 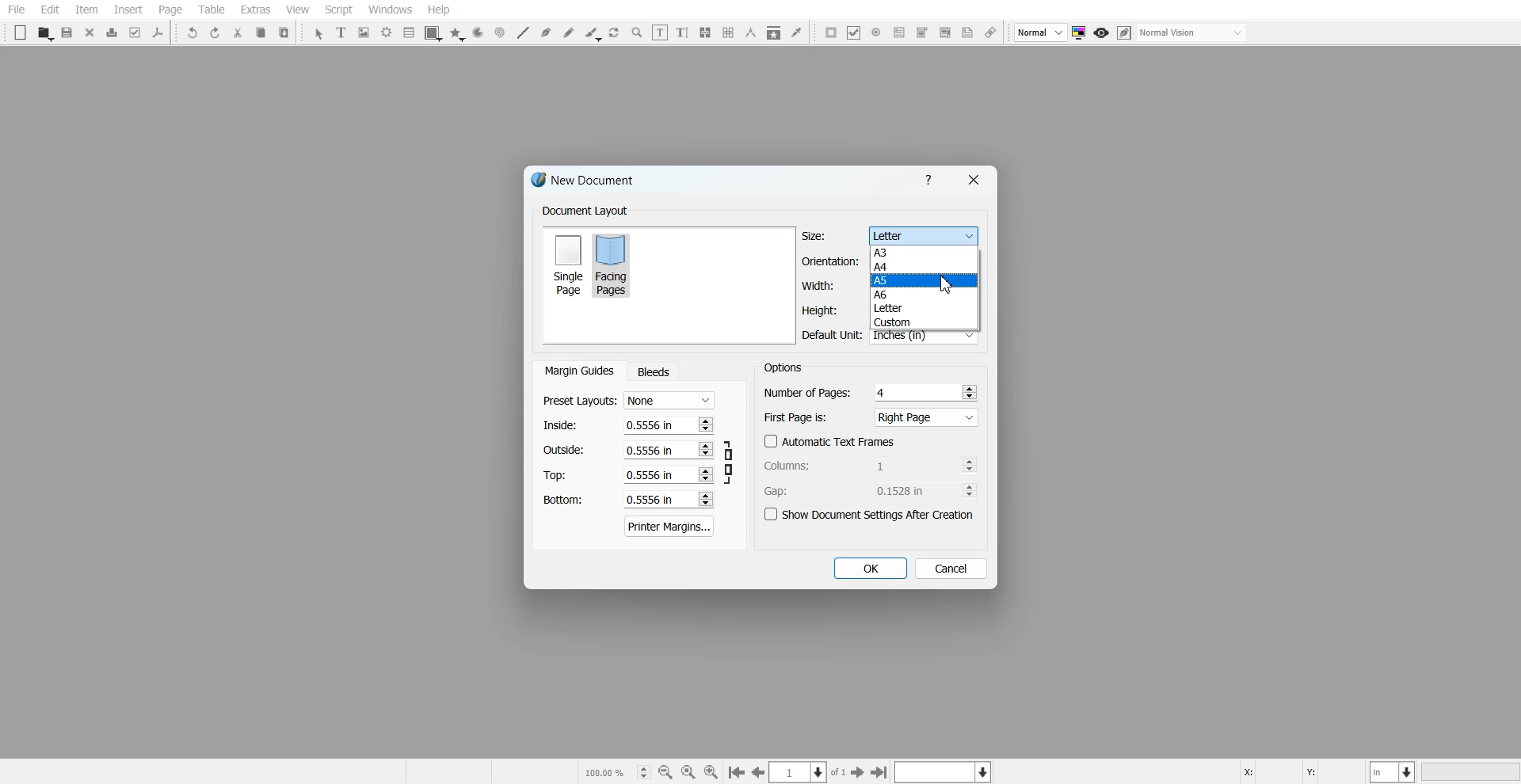 What do you see at coordinates (650, 475) in the screenshot?
I see `0.5556 in` at bounding box center [650, 475].